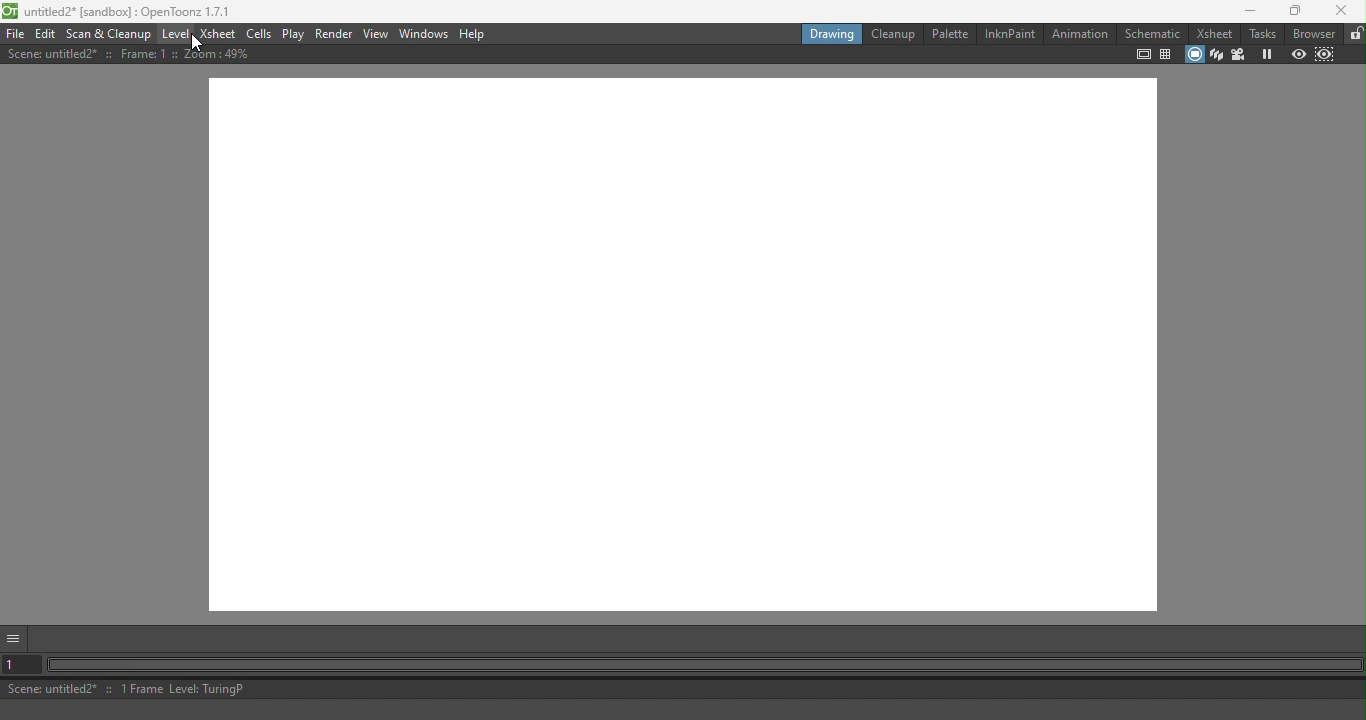 The height and width of the screenshot is (720, 1366). What do you see at coordinates (1078, 37) in the screenshot?
I see `Animation` at bounding box center [1078, 37].